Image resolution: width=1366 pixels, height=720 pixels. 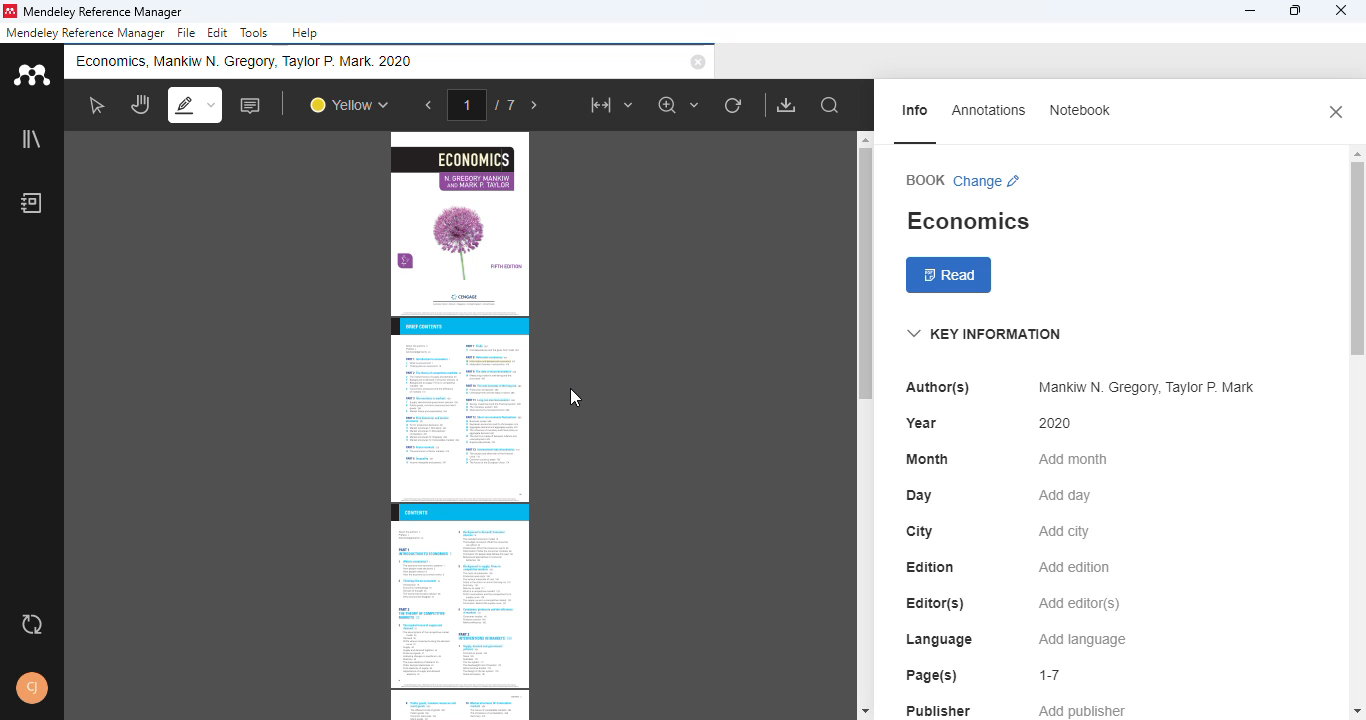 I want to click on help, so click(x=305, y=33).